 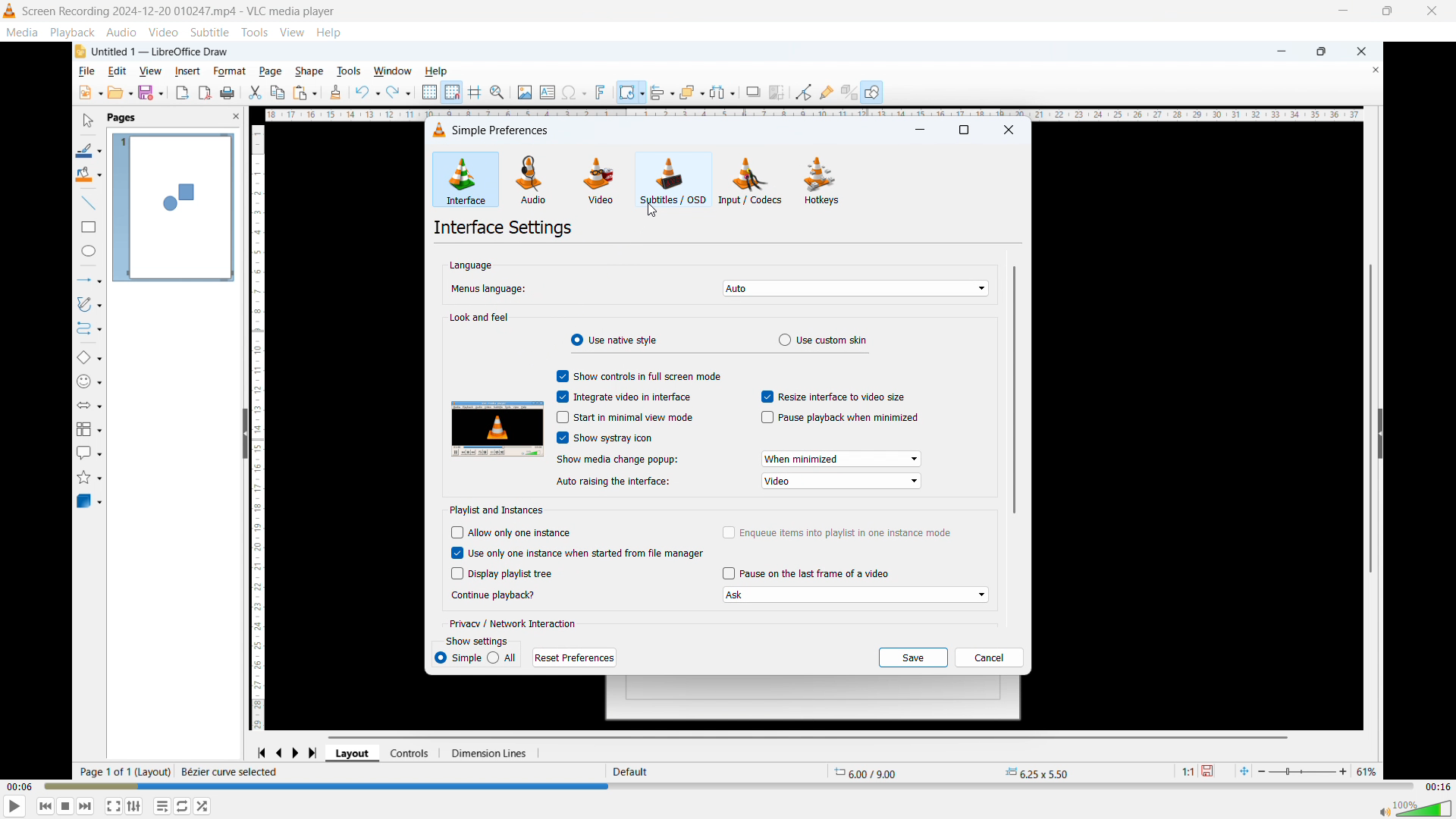 I want to click on Video , so click(x=598, y=180).